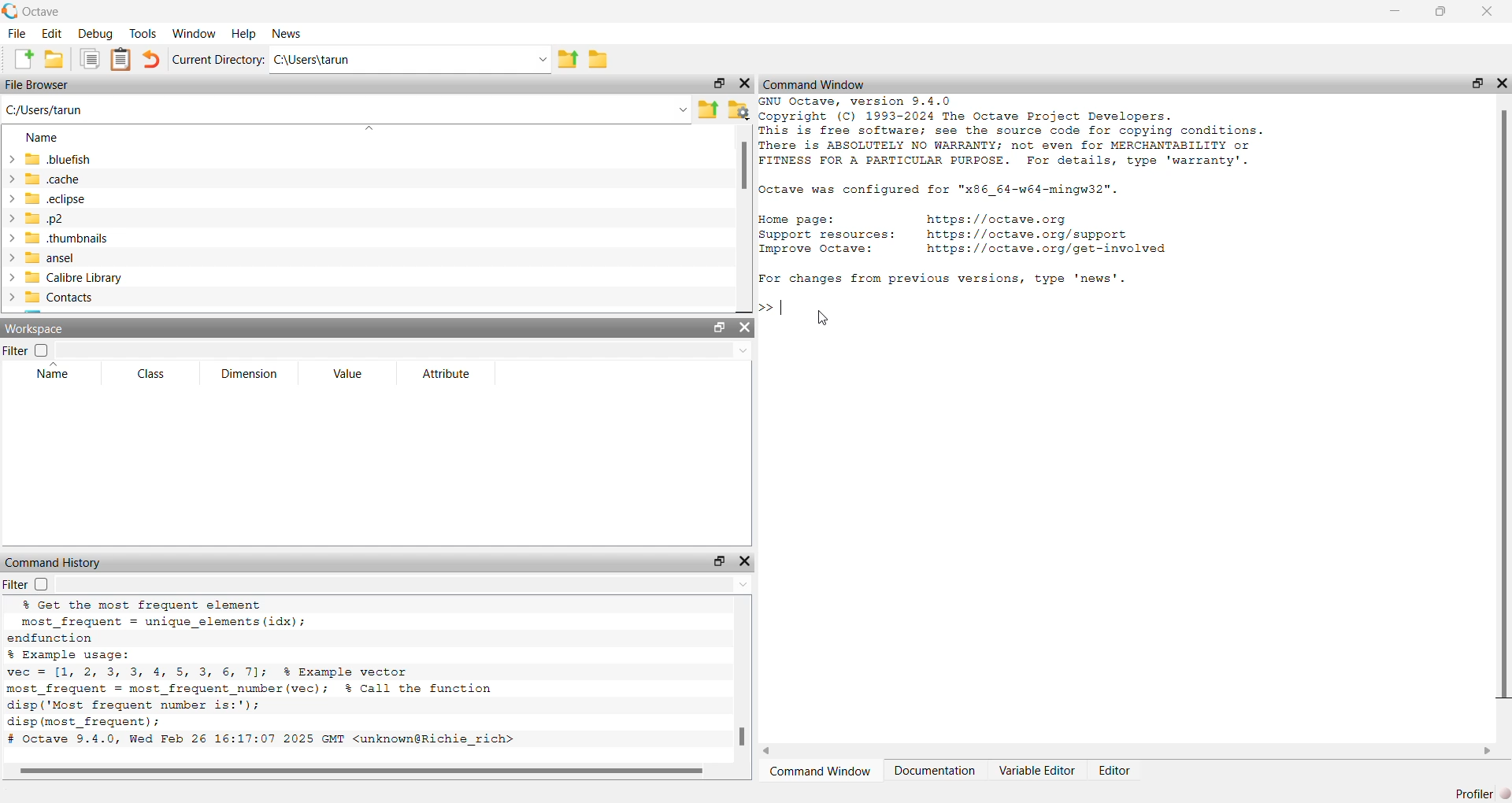 Image resolution: width=1512 pixels, height=803 pixels. Describe the element at coordinates (69, 239) in the screenshot. I see `.thumbnails` at that location.